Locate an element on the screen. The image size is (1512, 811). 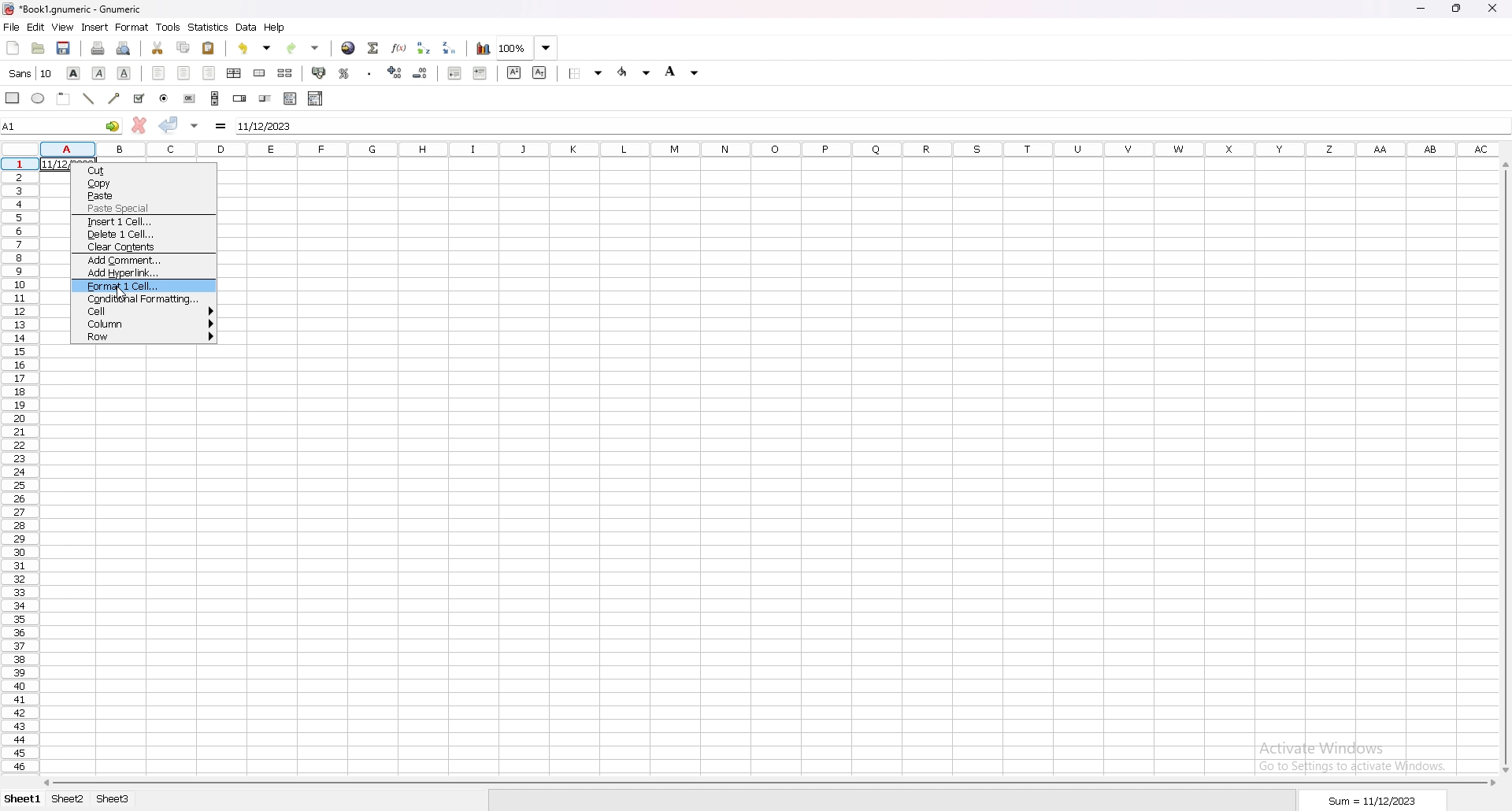
subscript is located at coordinates (539, 72).